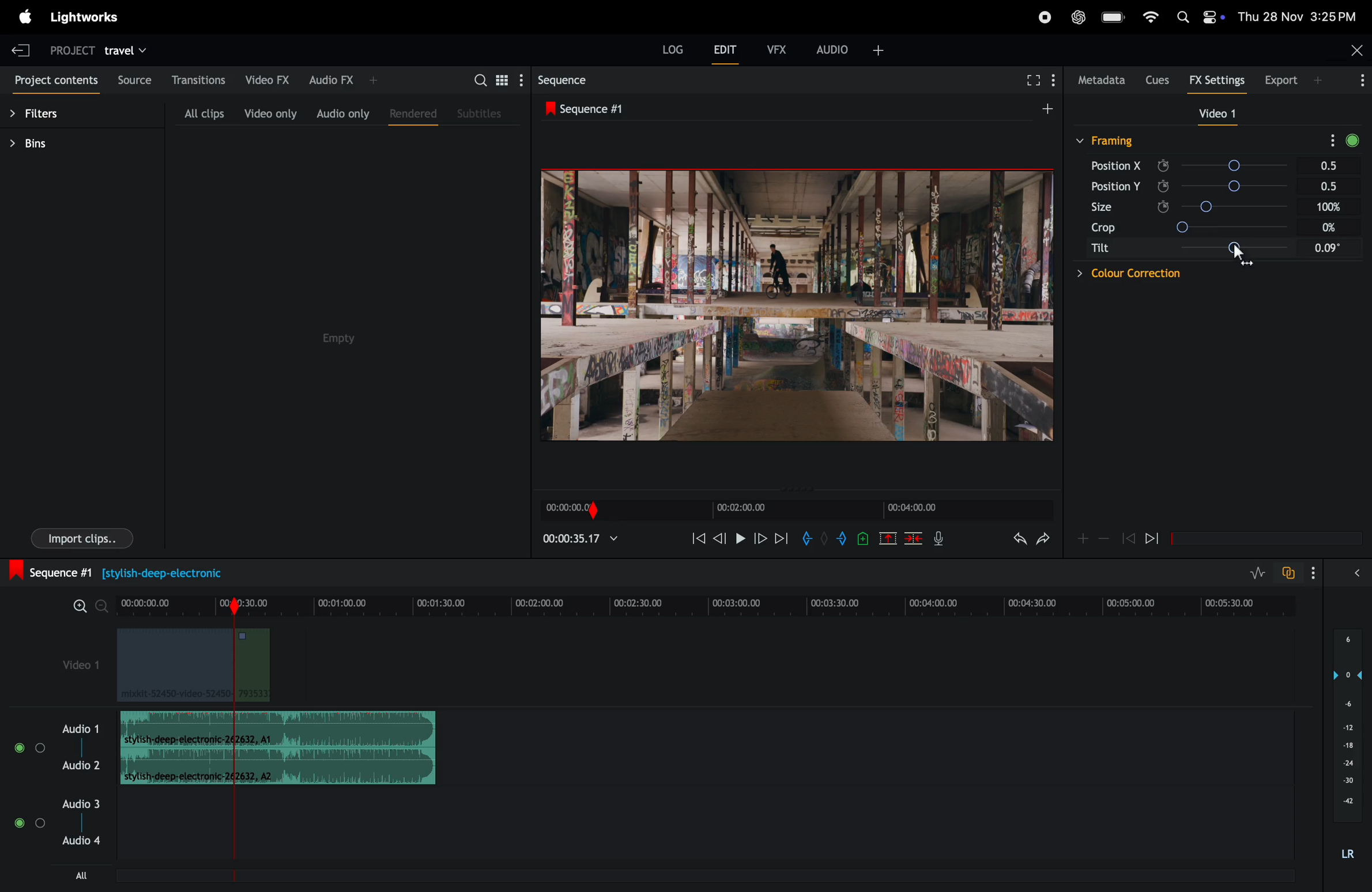 The image size is (1372, 892). Describe the element at coordinates (1262, 167) in the screenshot. I see `Position X slider: 0.5` at that location.